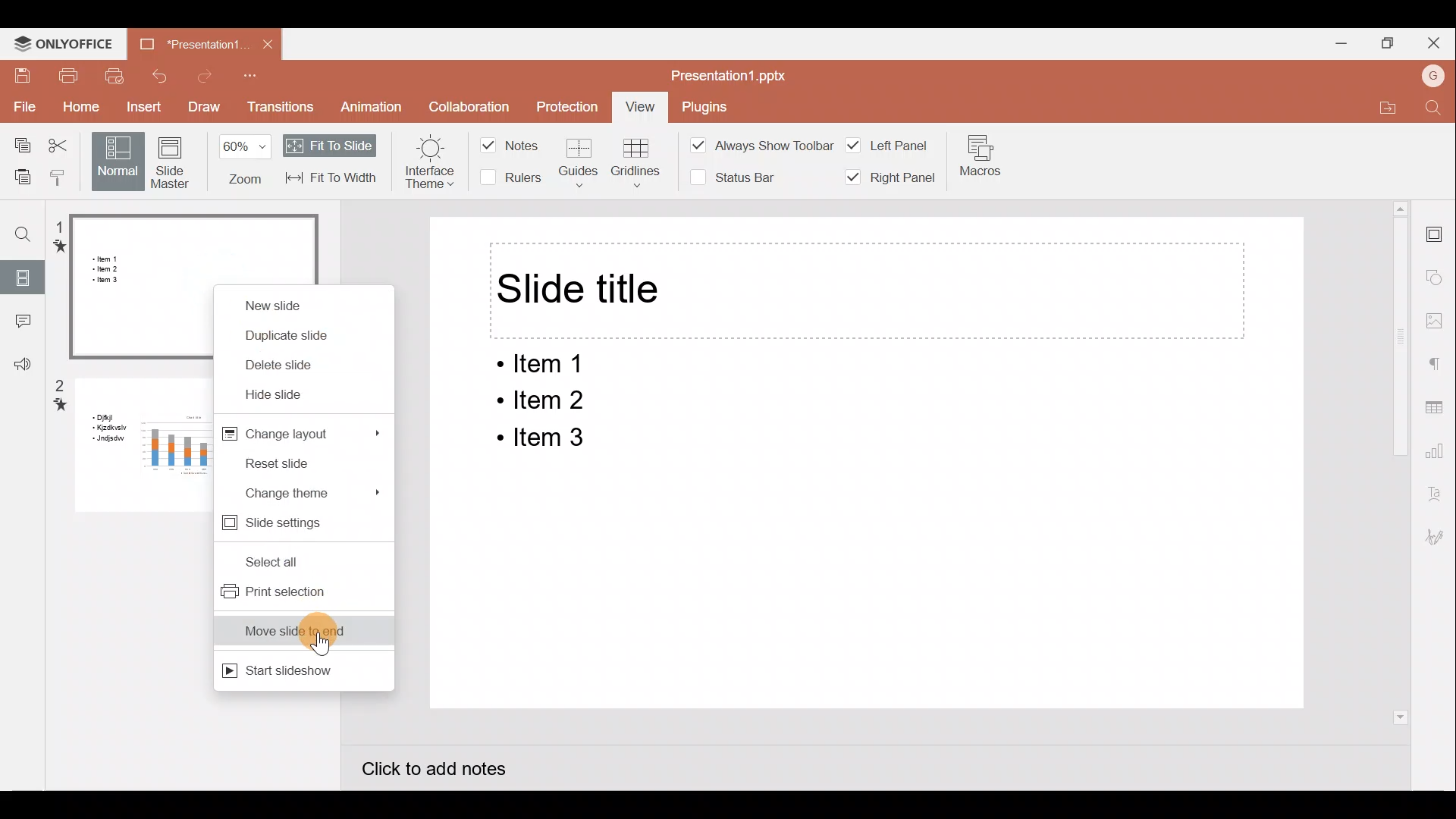 The image size is (1456, 819). Describe the element at coordinates (117, 162) in the screenshot. I see `Normal` at that location.